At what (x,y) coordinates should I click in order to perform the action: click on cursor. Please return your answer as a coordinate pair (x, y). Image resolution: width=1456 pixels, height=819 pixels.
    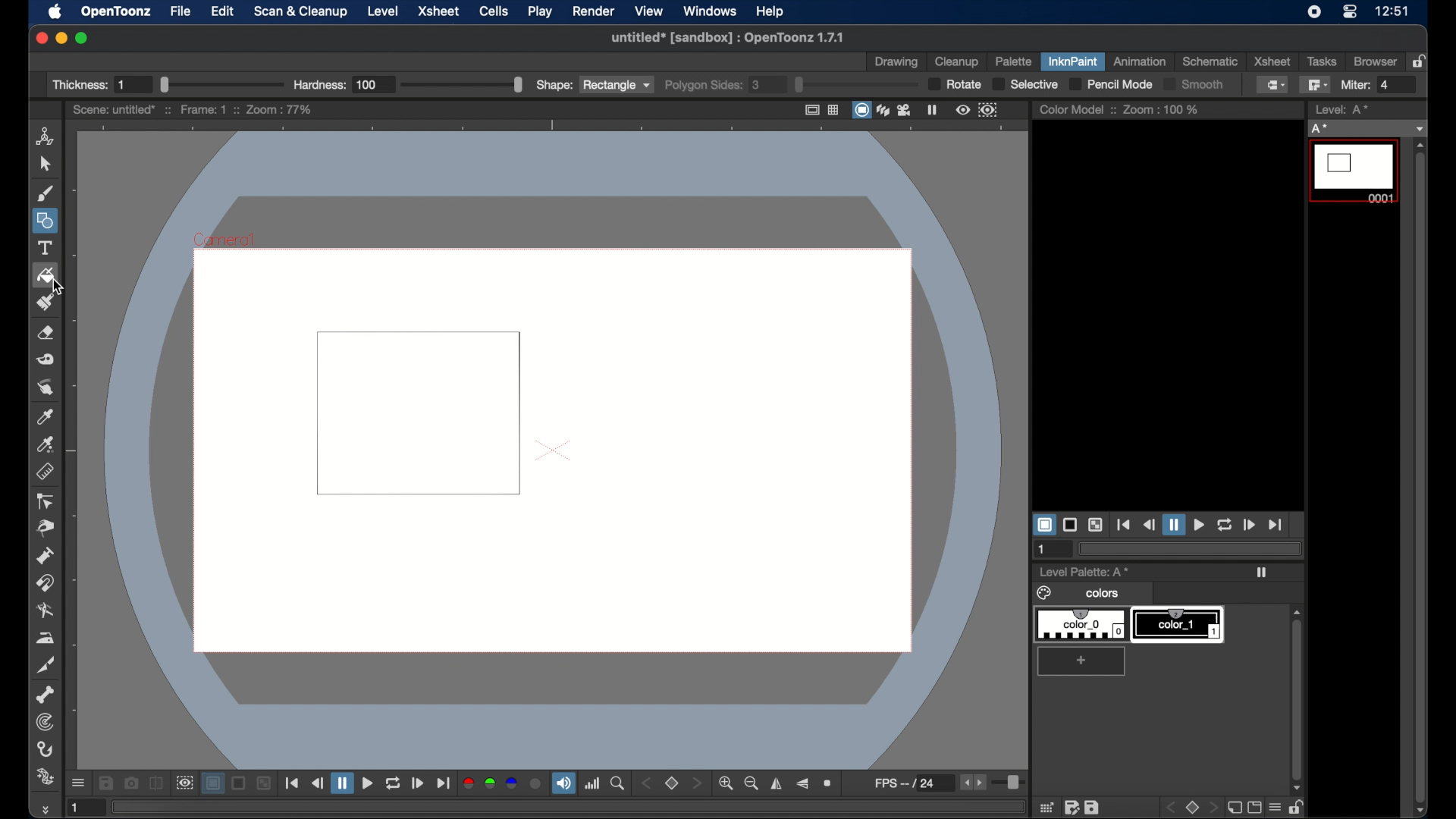
    Looking at the image, I should click on (58, 287).